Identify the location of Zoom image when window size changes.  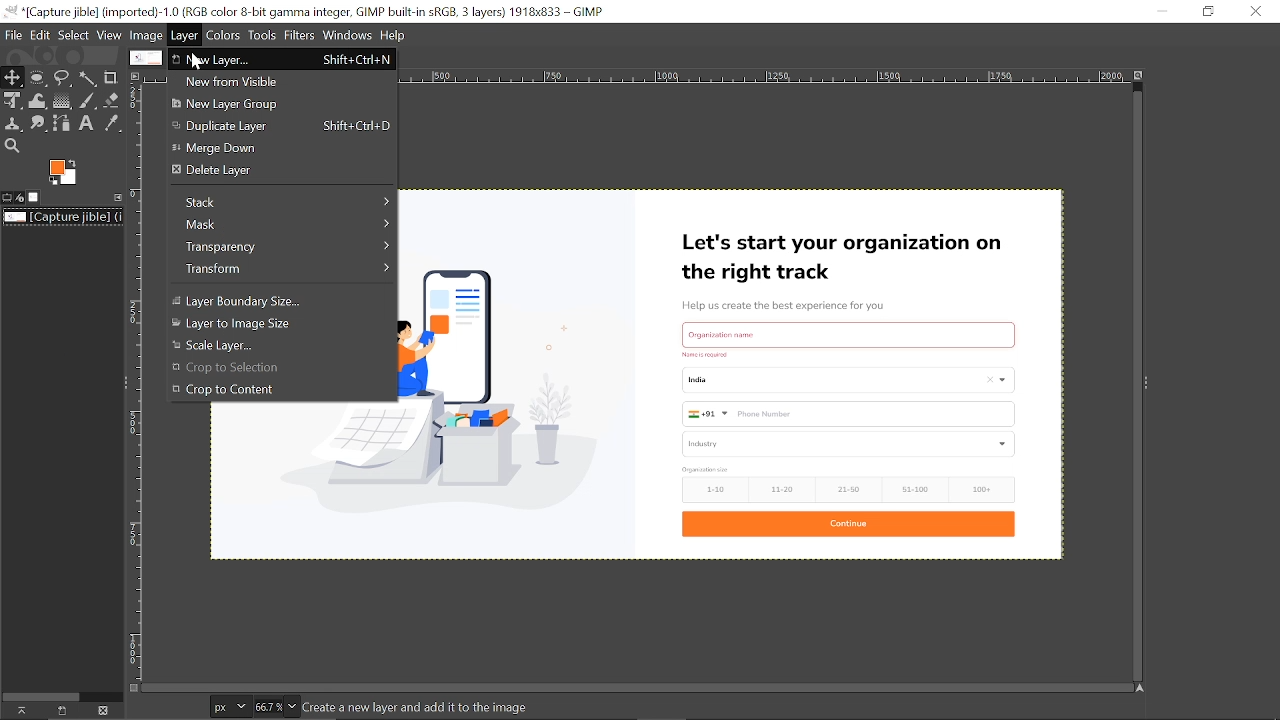
(1141, 78).